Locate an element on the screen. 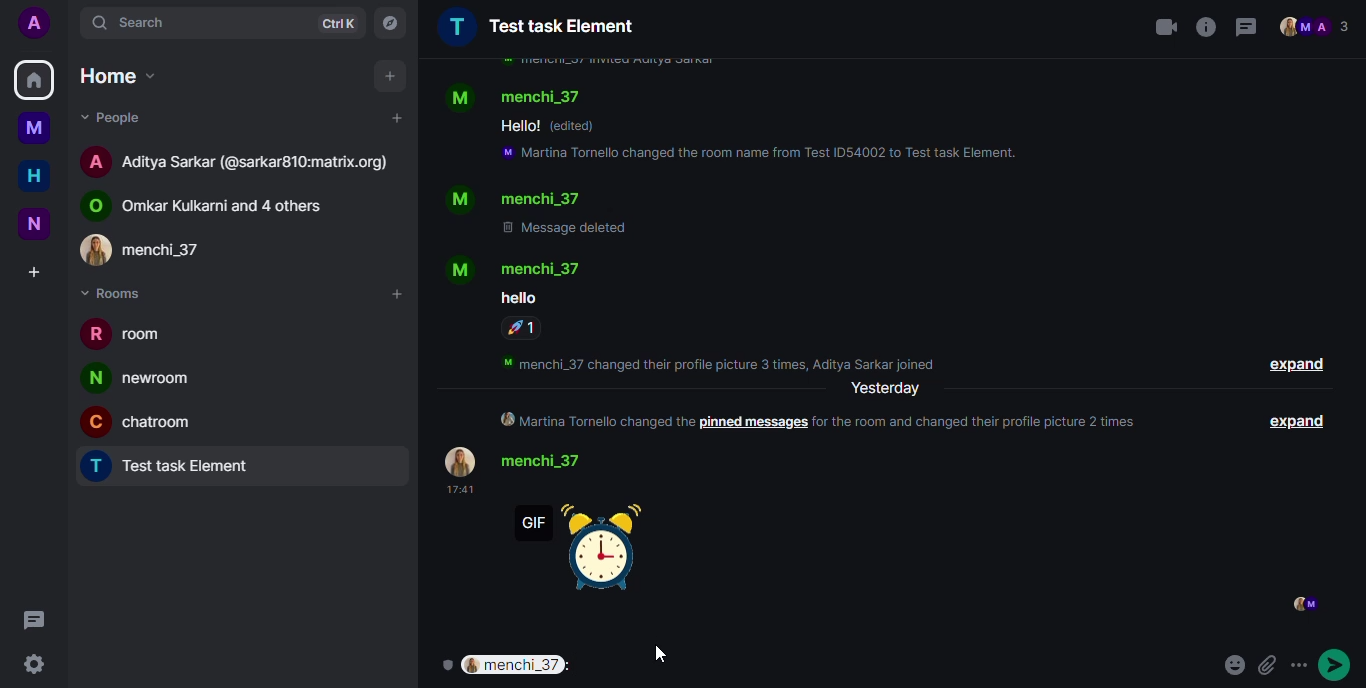 The image size is (1366, 688). yesterday is located at coordinates (886, 389).